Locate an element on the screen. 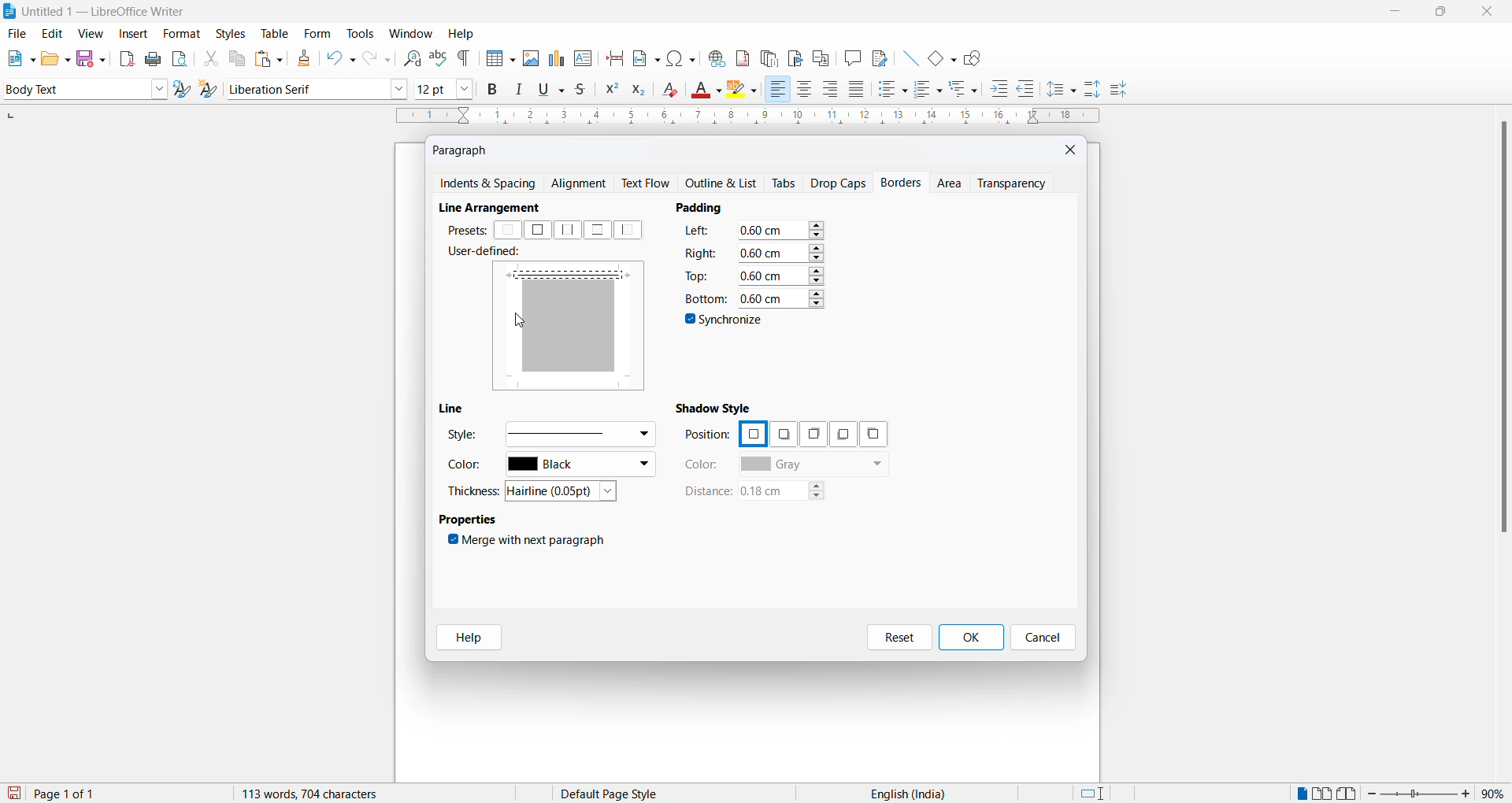 Image resolution: width=1512 pixels, height=803 pixels. paste is located at coordinates (266, 60).